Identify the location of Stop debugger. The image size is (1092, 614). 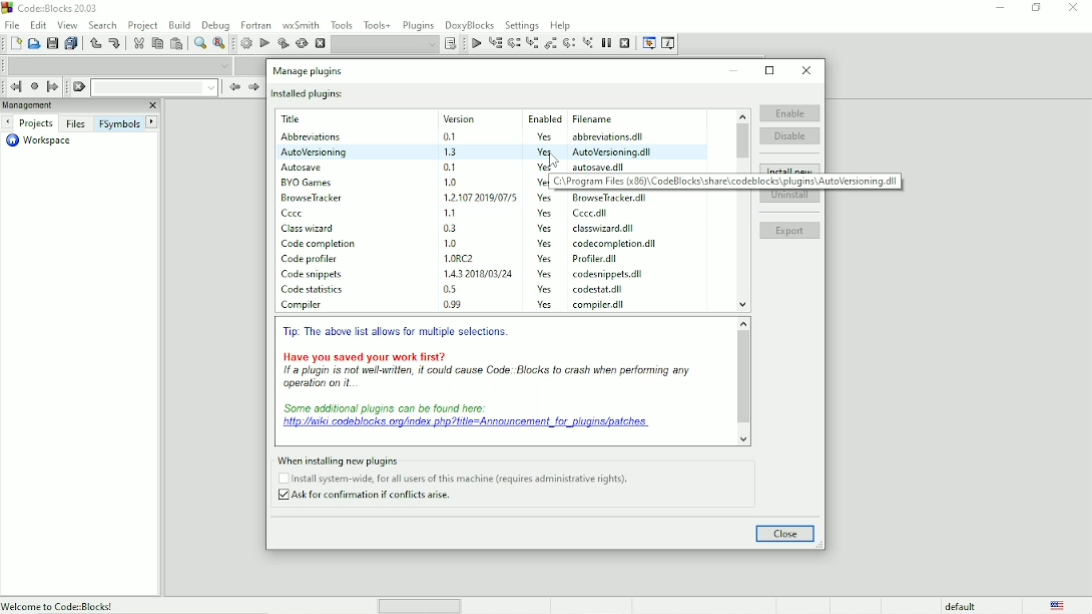
(625, 43).